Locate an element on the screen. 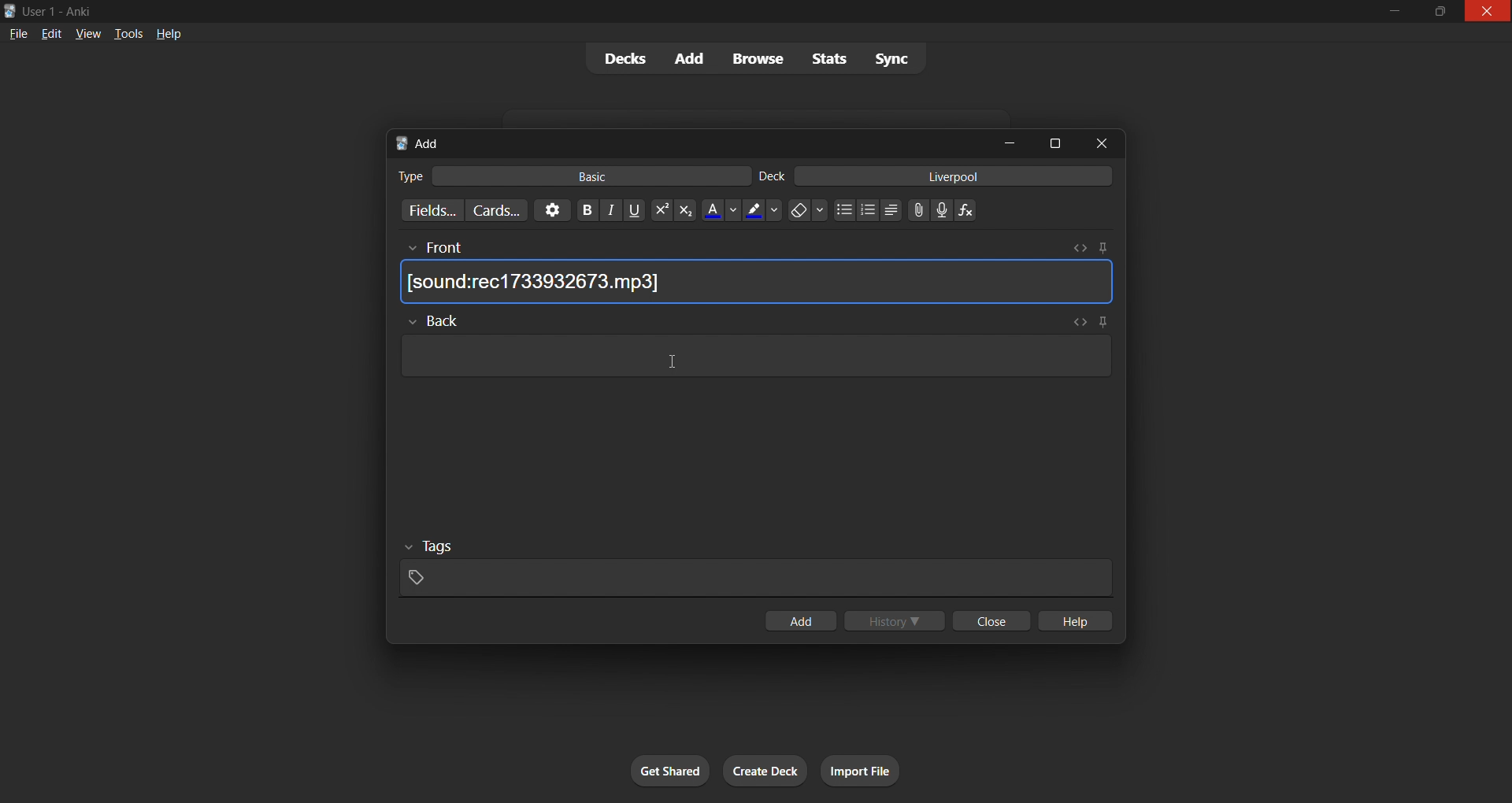 The width and height of the screenshot is (1512, 803). close is located at coordinates (1487, 13).